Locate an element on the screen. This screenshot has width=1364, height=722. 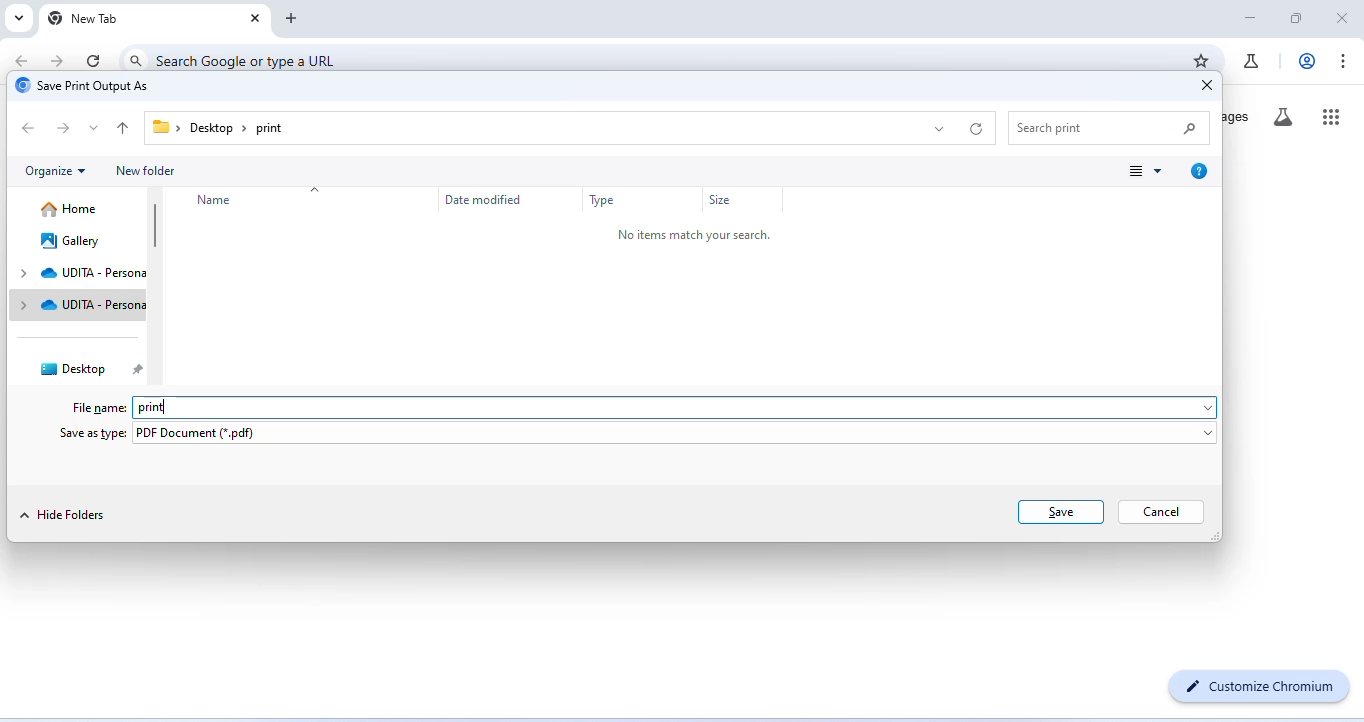
udita personal is located at coordinates (95, 273).